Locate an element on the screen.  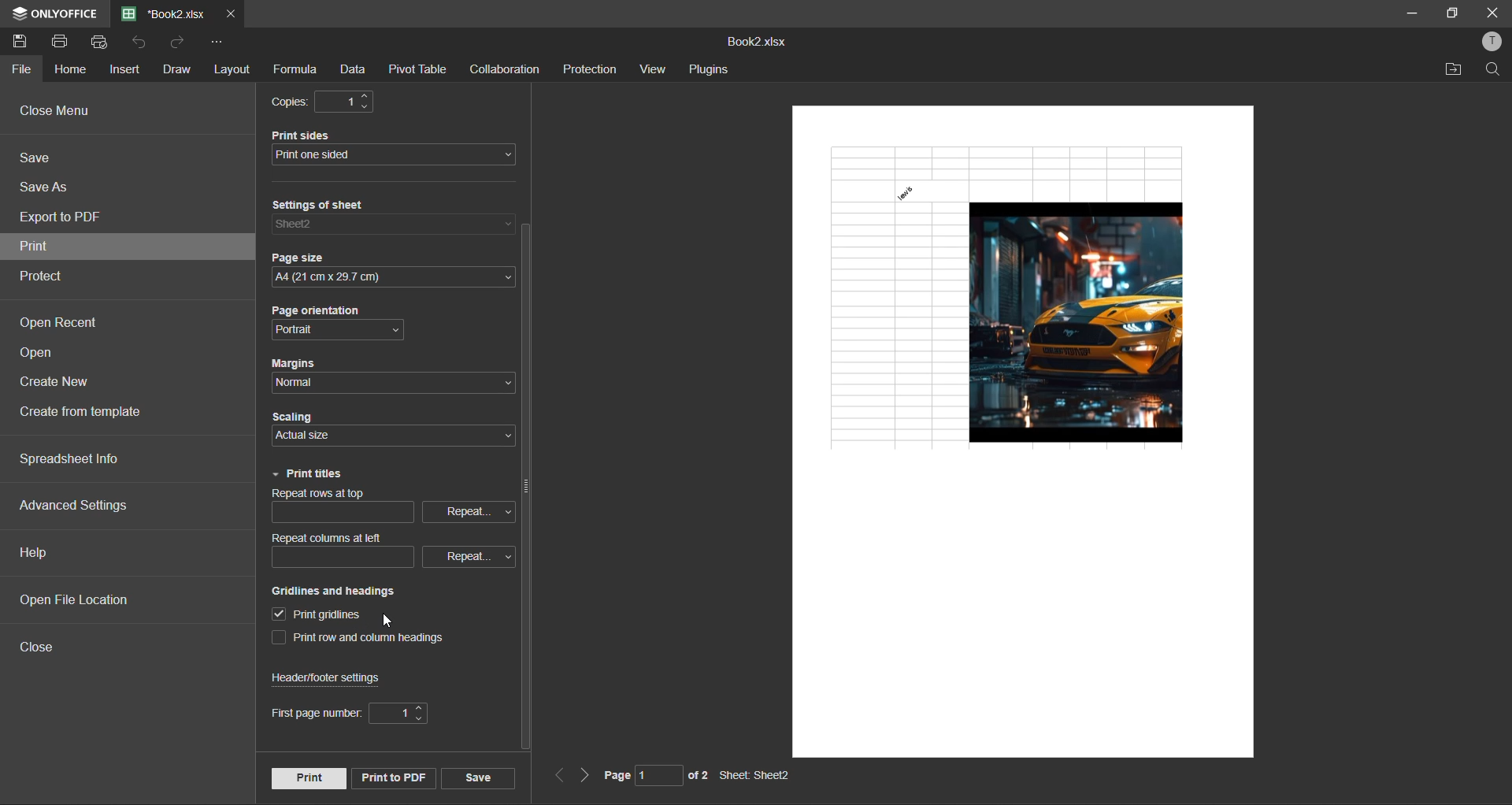
normal is located at coordinates (310, 384).